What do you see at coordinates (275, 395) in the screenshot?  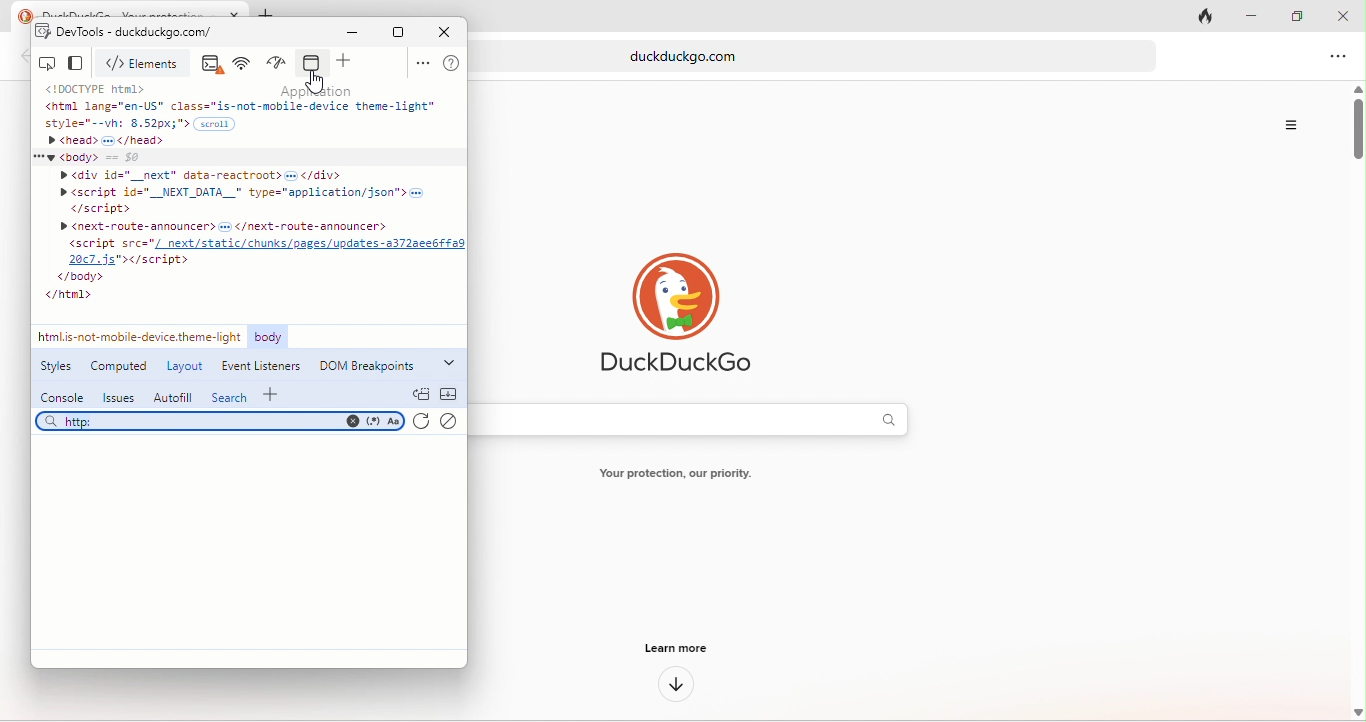 I see `add` at bounding box center [275, 395].